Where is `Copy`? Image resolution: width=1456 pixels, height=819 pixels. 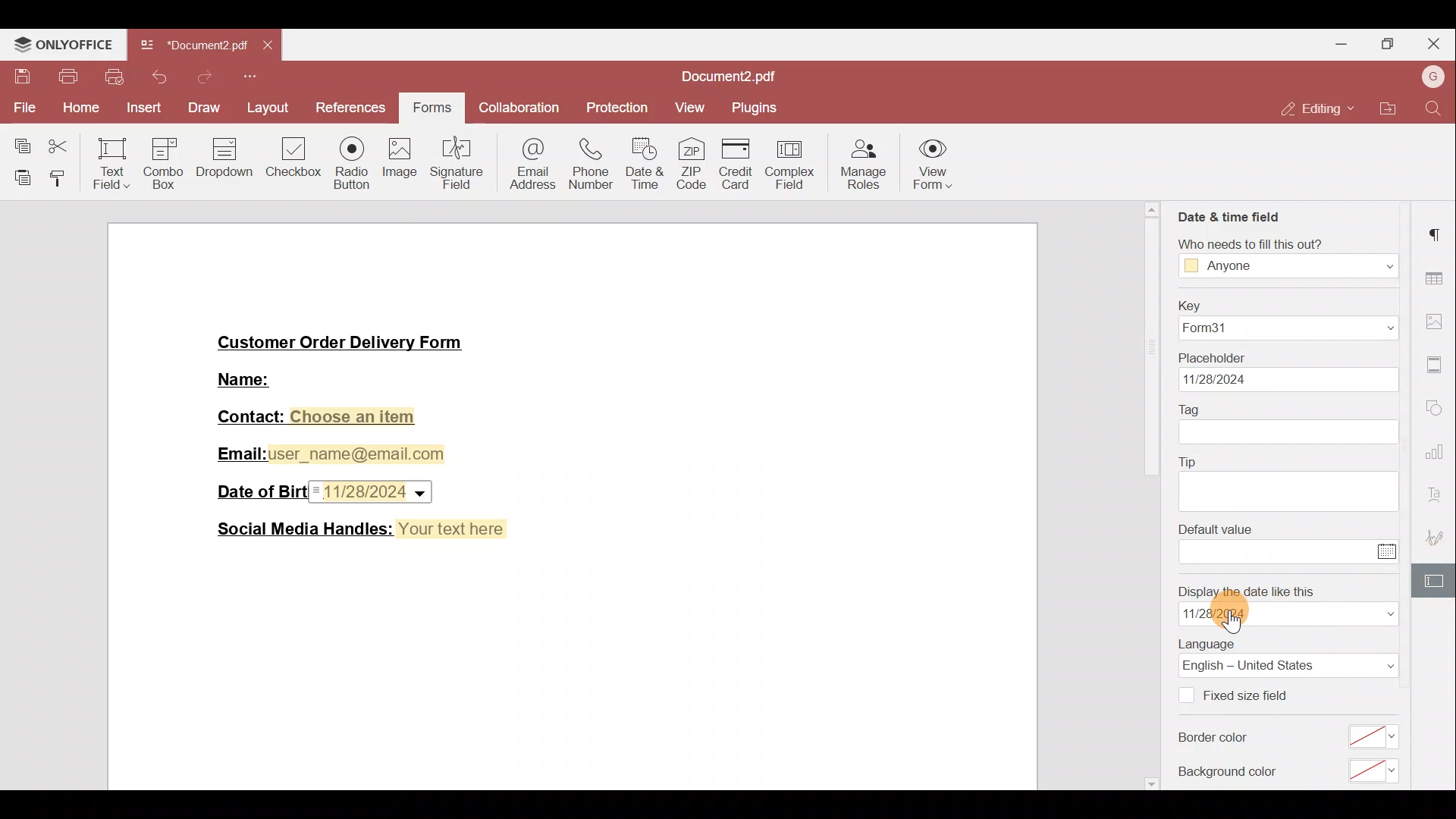
Copy is located at coordinates (19, 143).